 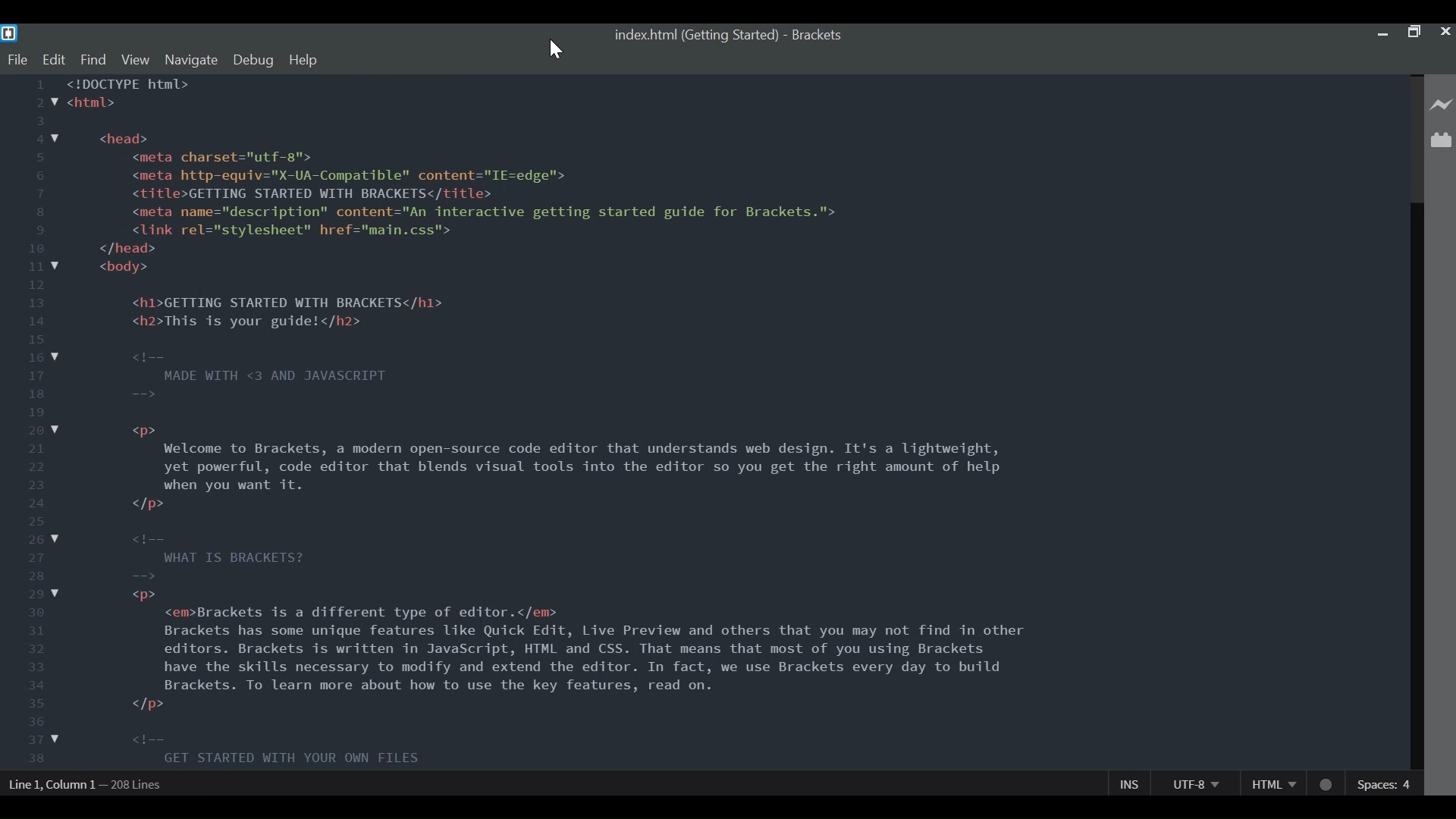 I want to click on <!DOCTYPE html>
<html>
<head>
<meta charset="utf-8">
<meta http-equiv="X-UA-Compatible" content="IE=edge">
<title>GETTING STARTED WITH BRACKETS</title>
<meta name="description" content="An interactive getting started guide for Brackets.">
<link rel="stylesheet" href="main.css">
</head>
<body>
<h1>GETTING STARTED WITH BRACKETS</h1>
<h2>This is your guide!</h2>
<t--
MADE WITH <3 AND JAVASCRIPT
<p>
Welcome to Brackets, a modern open-source code editor that understands web design. It's a lightweight,
yet powerful, code editor that blends visual tools into the editor so you get the right amount of help
when you want it.
</p>
<t--
WHAT IS BRACKETS?
<p>
<em>Brackets is a different type of editor.</em>
Brackets has some unique features like Quick Edit, Live Preview and others that you may not find in other
editors. Brackets is written in JavaScript, HTML and CSS. That means that most of you using Brackets
have the skills necessary to modify and extend the editor. In fact, we use Brackets every day to build
Brackets. To learn more about how to use the key features, read on.
</p>
fee
GET STARTED WITH YOUR OWN FILES, so click(x=564, y=424).